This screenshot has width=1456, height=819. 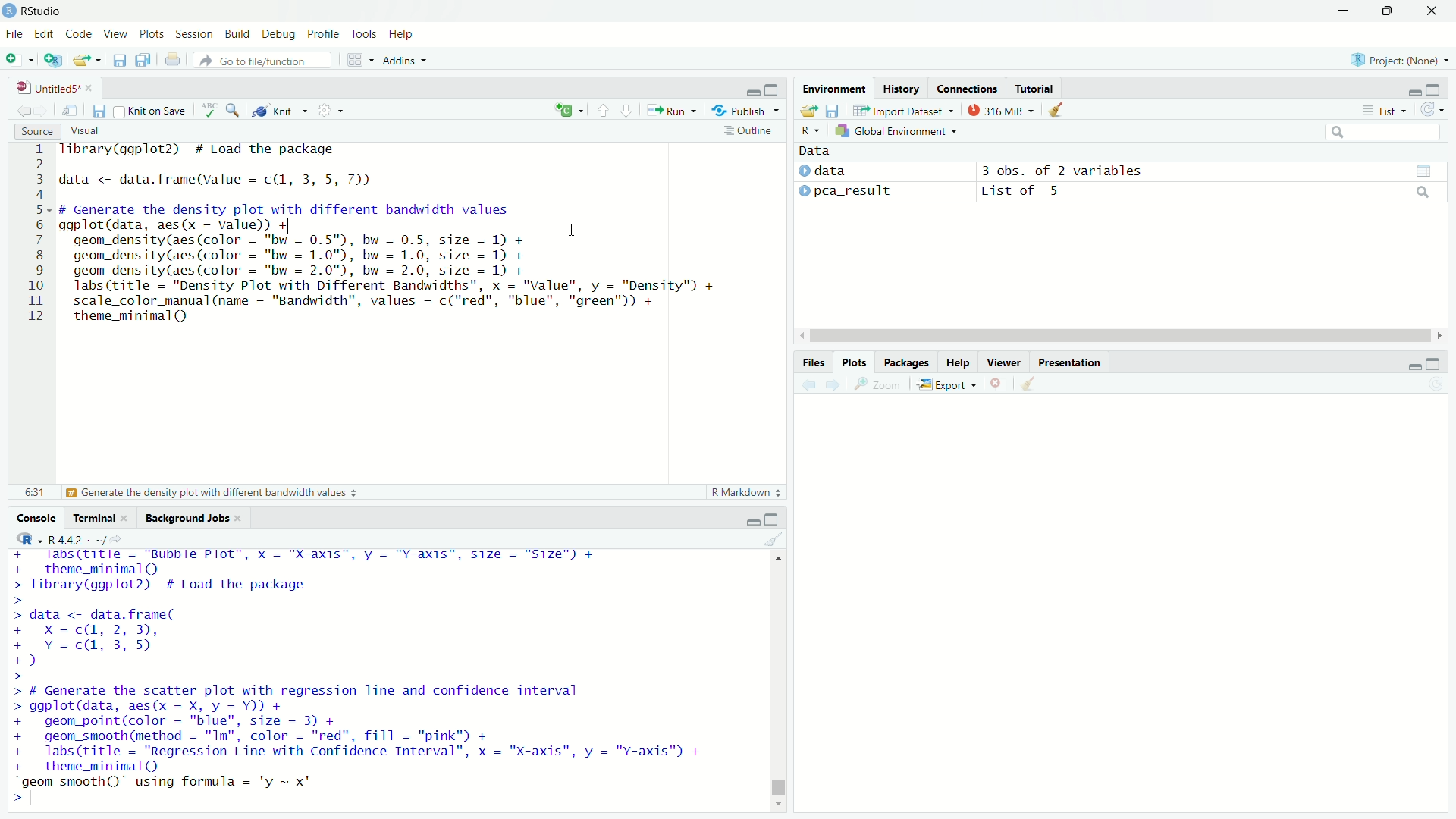 What do you see at coordinates (405, 61) in the screenshot?
I see `Addins` at bounding box center [405, 61].